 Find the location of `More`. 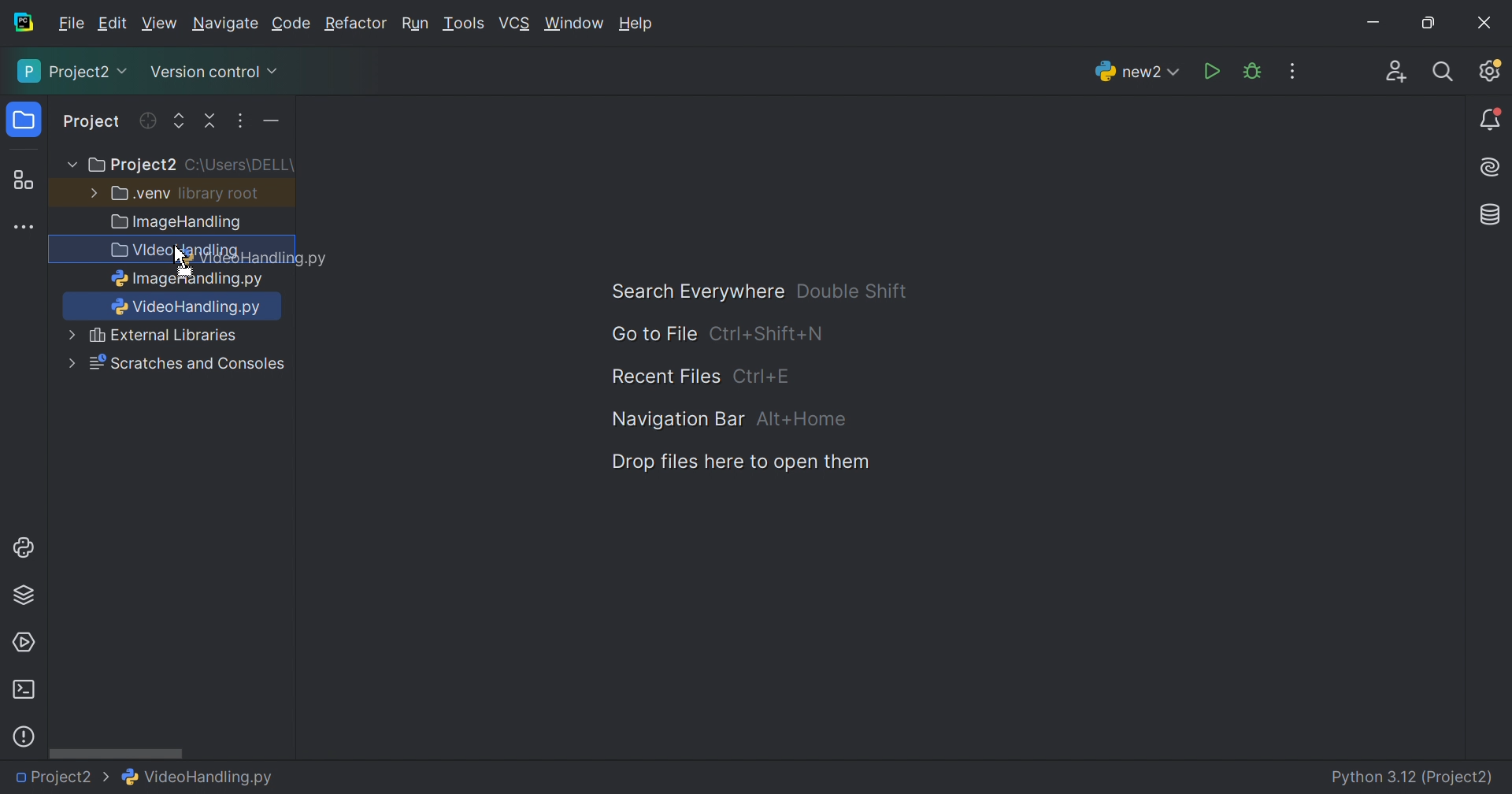

More is located at coordinates (91, 191).